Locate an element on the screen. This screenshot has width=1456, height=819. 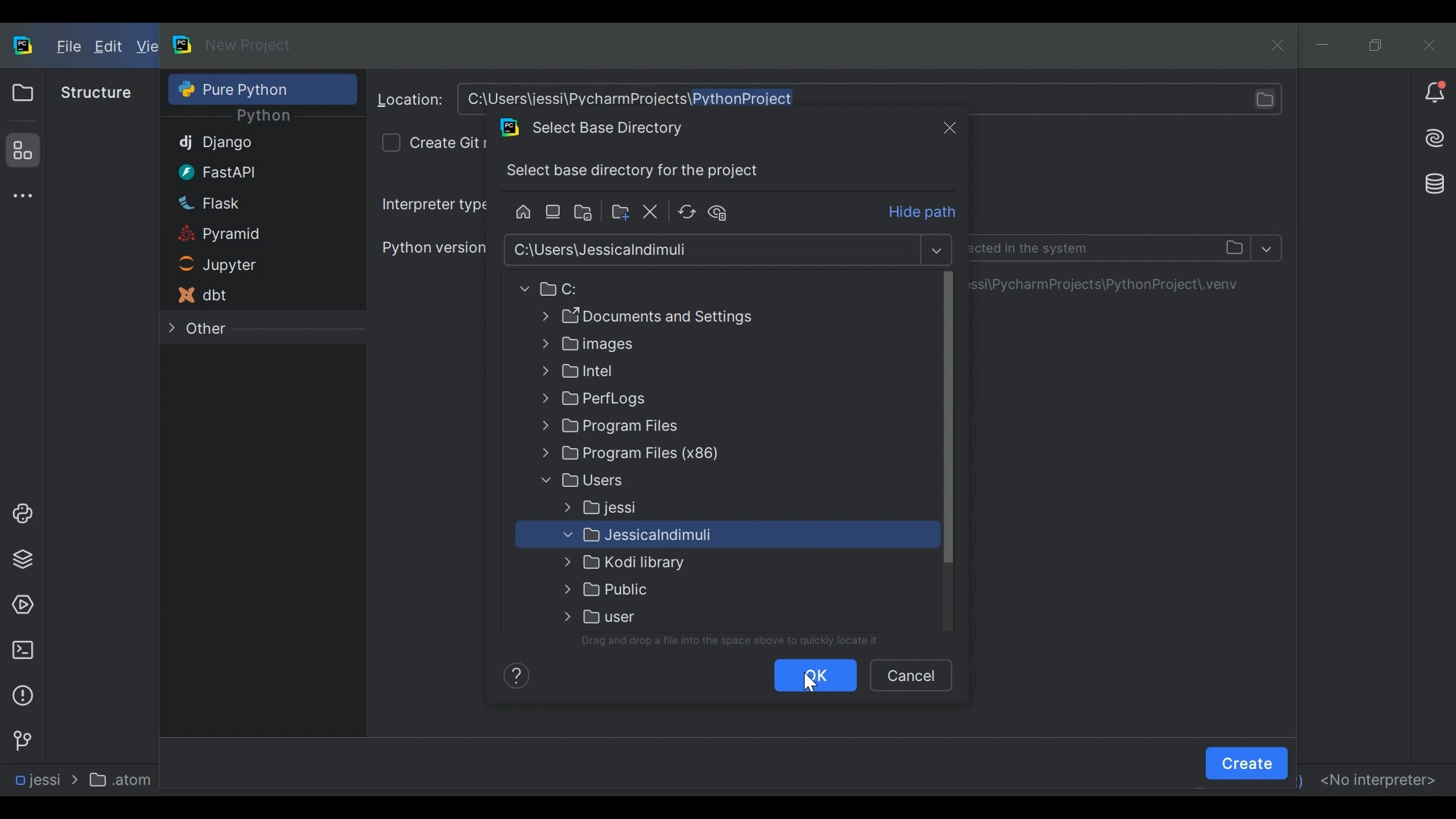
<No interpreter> is located at coordinates (1377, 778).